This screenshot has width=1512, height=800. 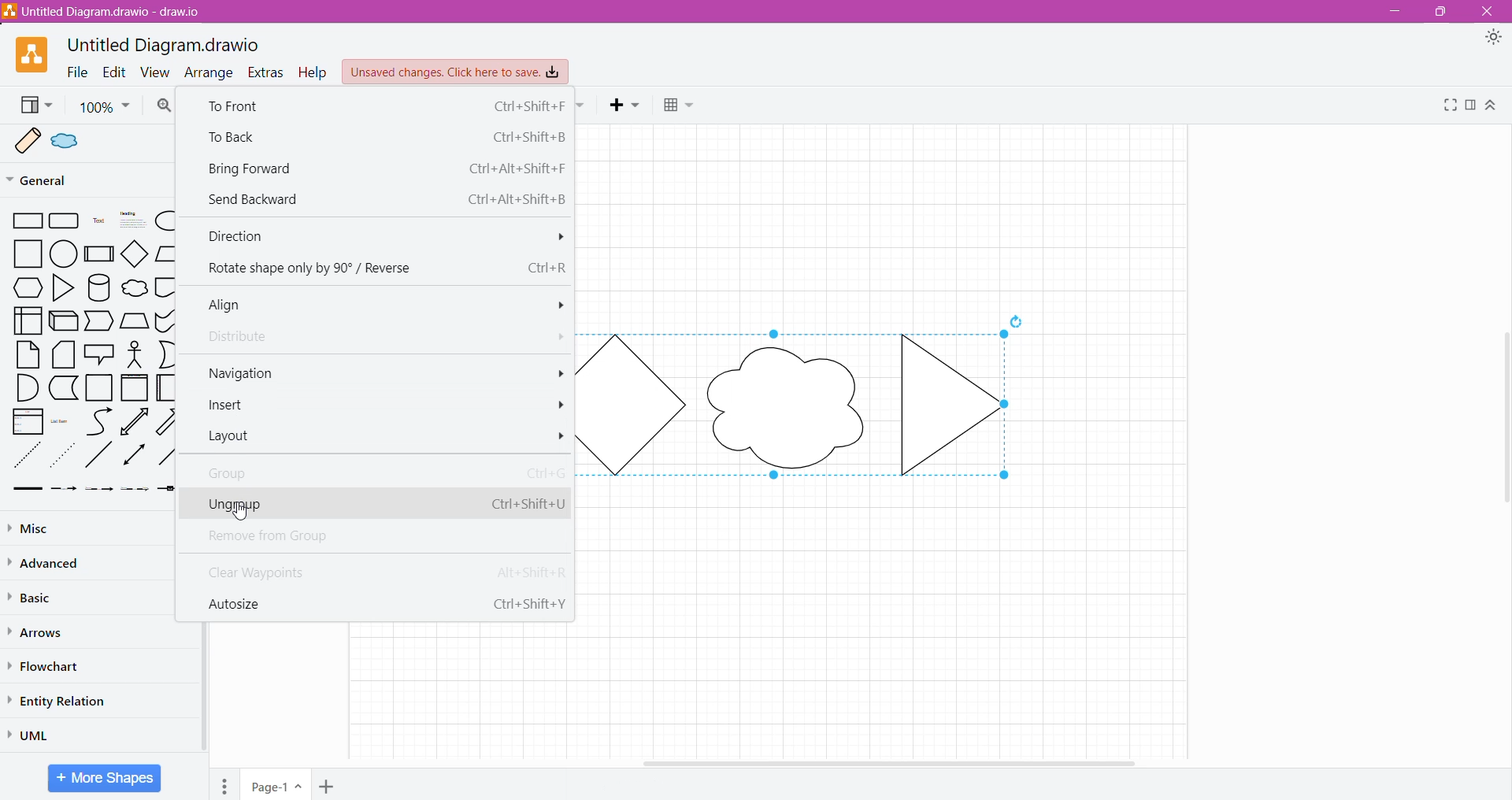 What do you see at coordinates (385, 406) in the screenshot?
I see `Insert` at bounding box center [385, 406].